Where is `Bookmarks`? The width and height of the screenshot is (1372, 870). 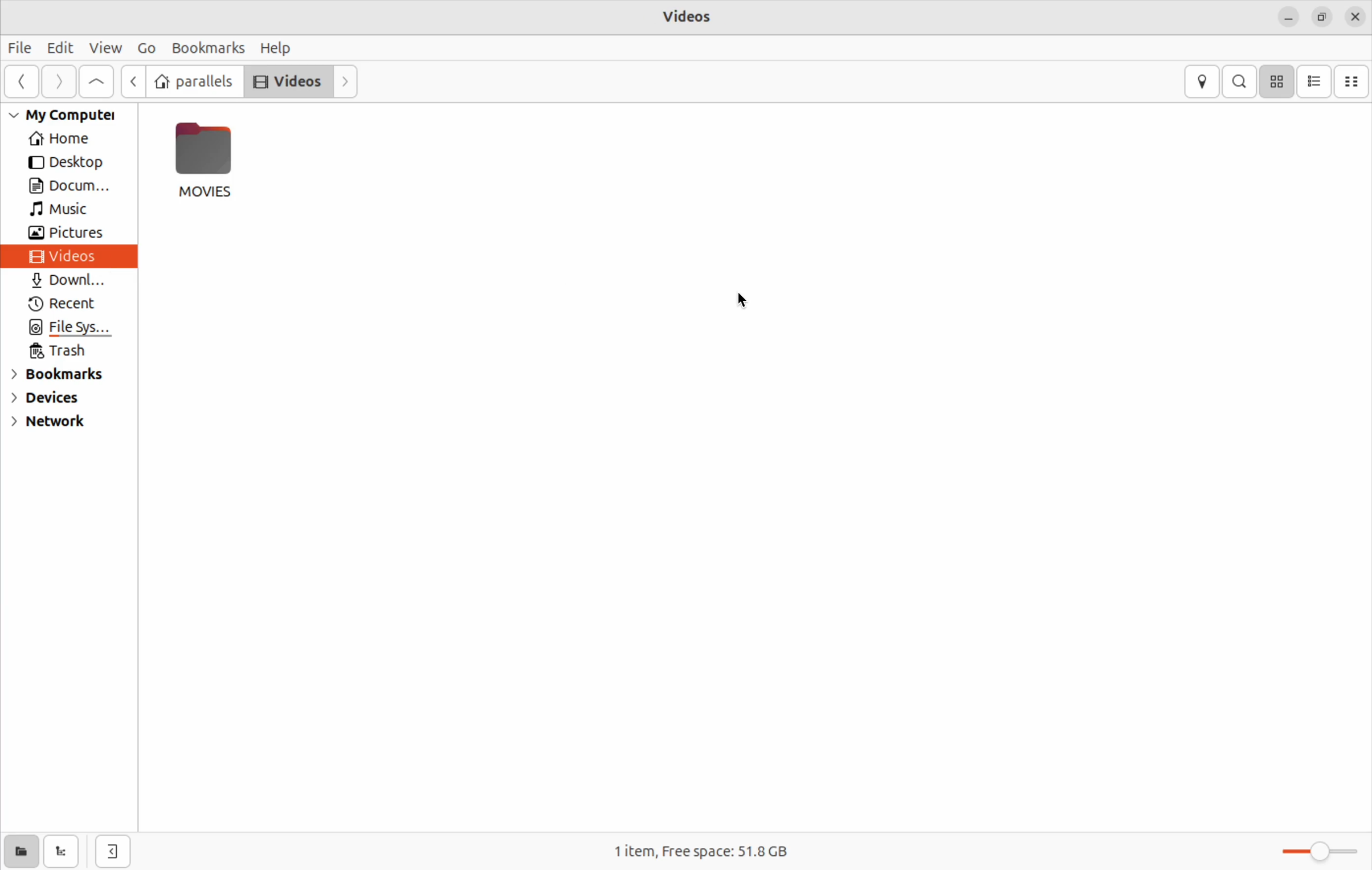
Bookmarks is located at coordinates (208, 47).